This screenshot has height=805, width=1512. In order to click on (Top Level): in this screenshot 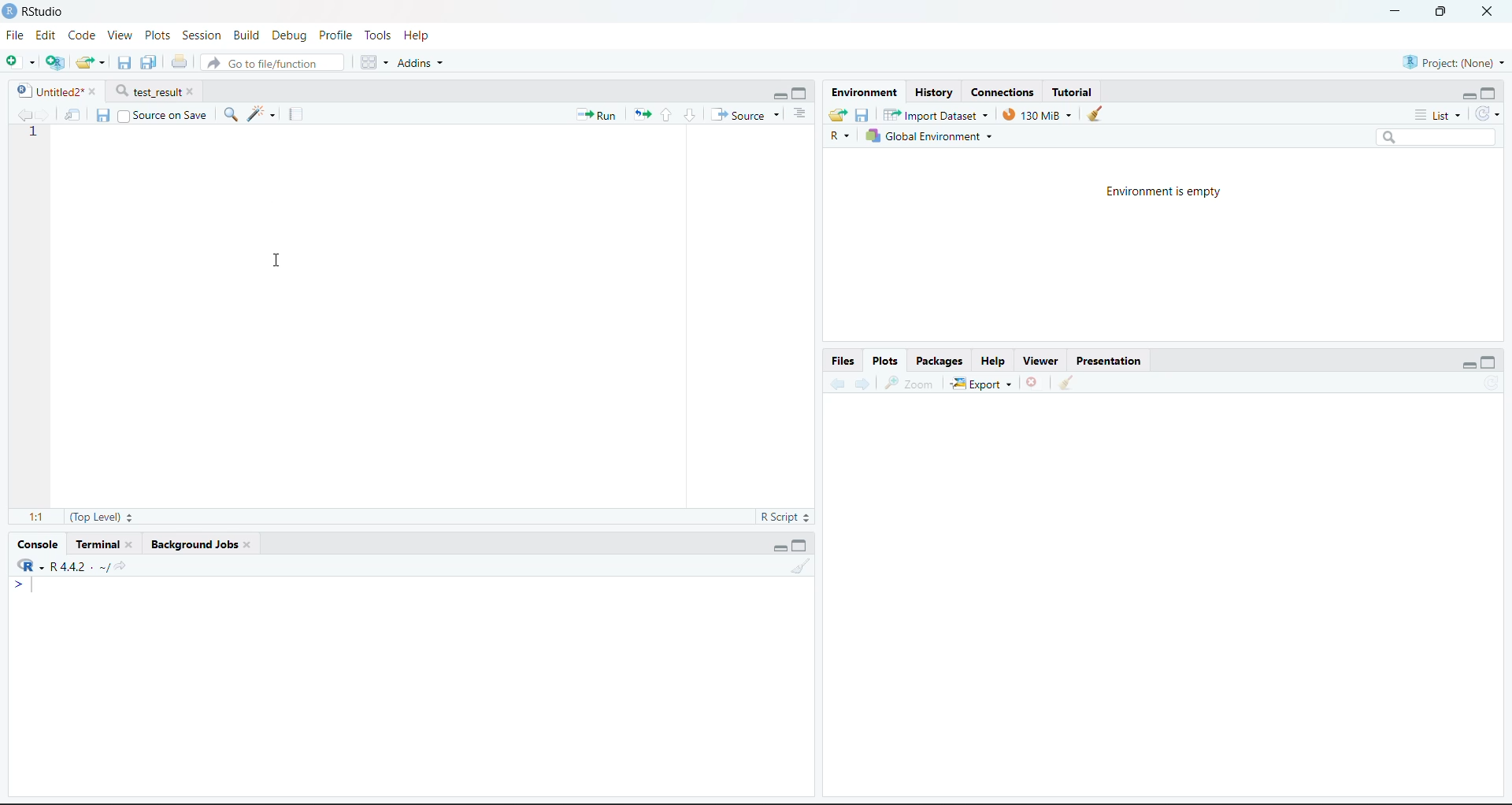, I will do `click(103, 517)`.